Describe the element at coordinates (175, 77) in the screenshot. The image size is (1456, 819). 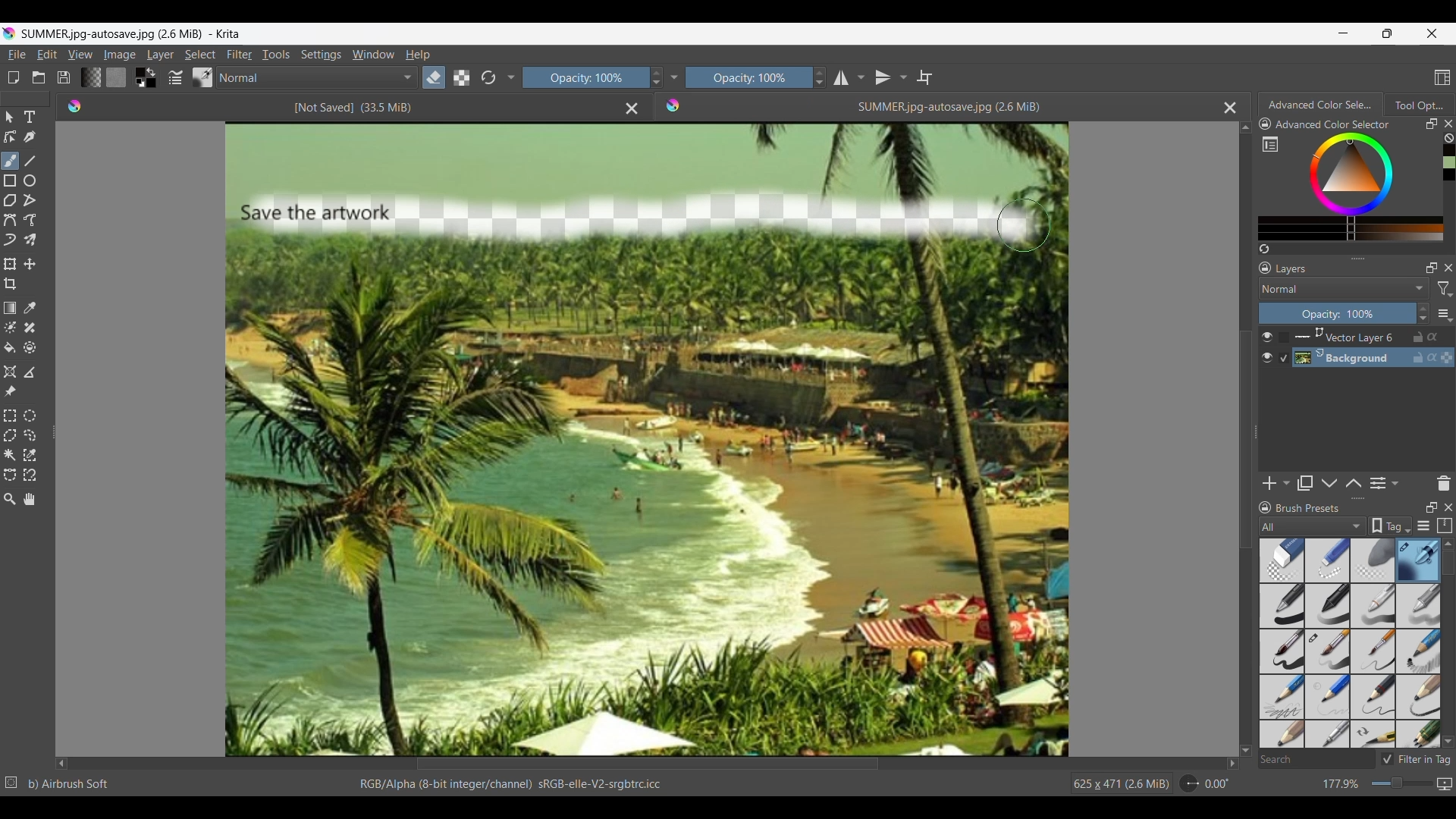
I see `Edit brush settings` at that location.